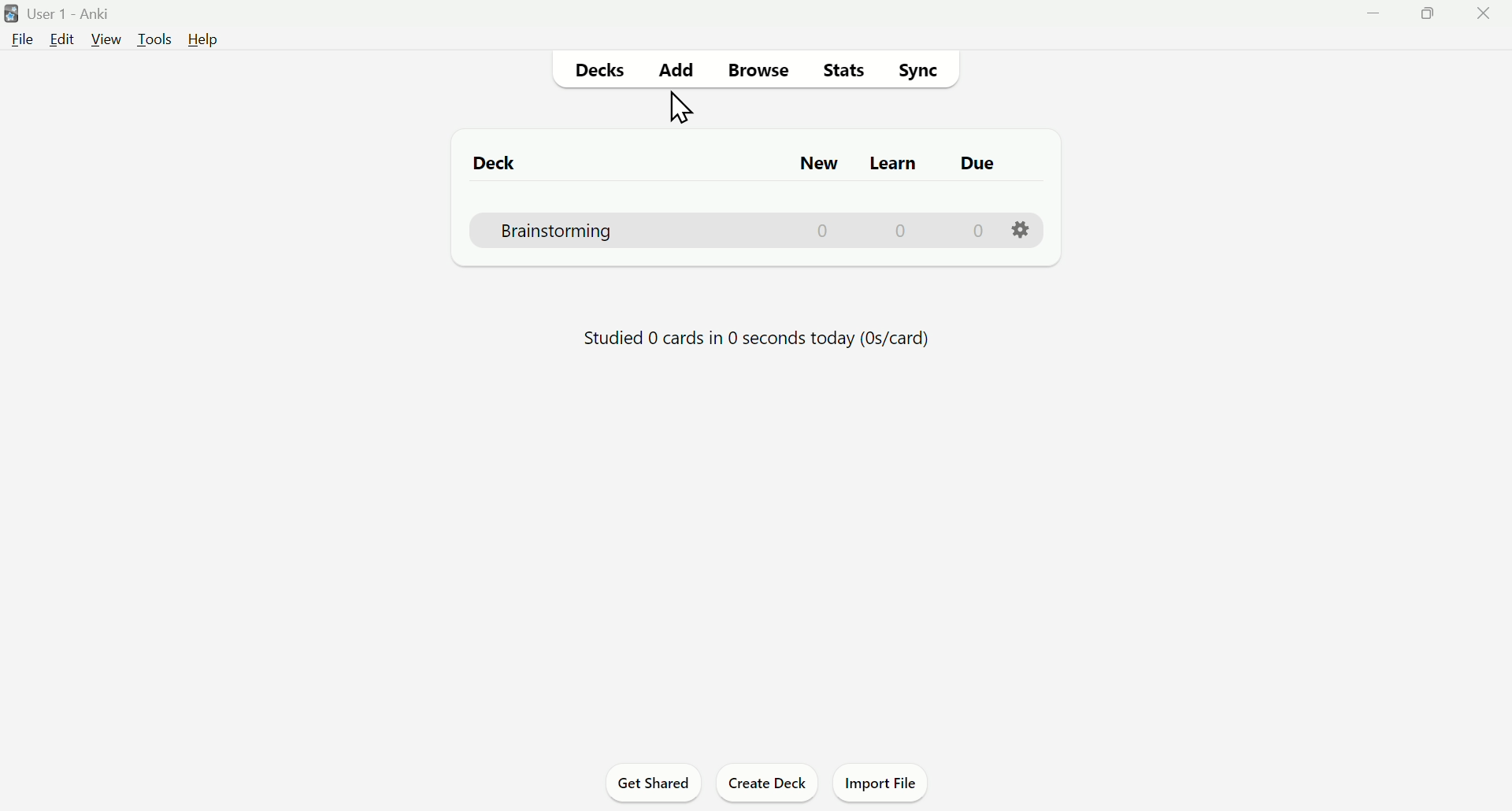 The height and width of the screenshot is (811, 1512). What do you see at coordinates (659, 783) in the screenshot?
I see `Get Shared` at bounding box center [659, 783].